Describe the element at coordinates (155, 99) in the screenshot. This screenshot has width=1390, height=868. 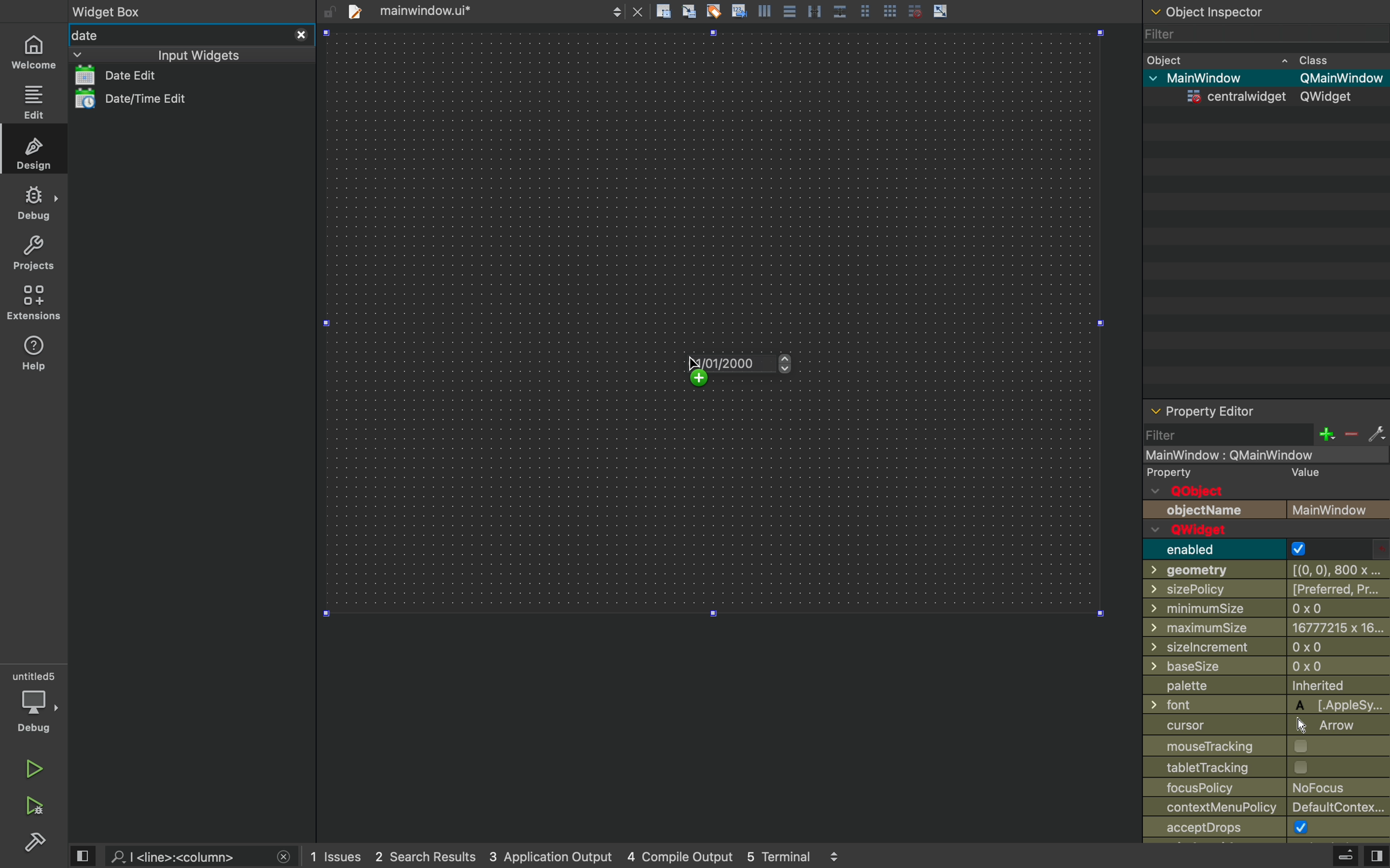
I see `date/time edit` at that location.